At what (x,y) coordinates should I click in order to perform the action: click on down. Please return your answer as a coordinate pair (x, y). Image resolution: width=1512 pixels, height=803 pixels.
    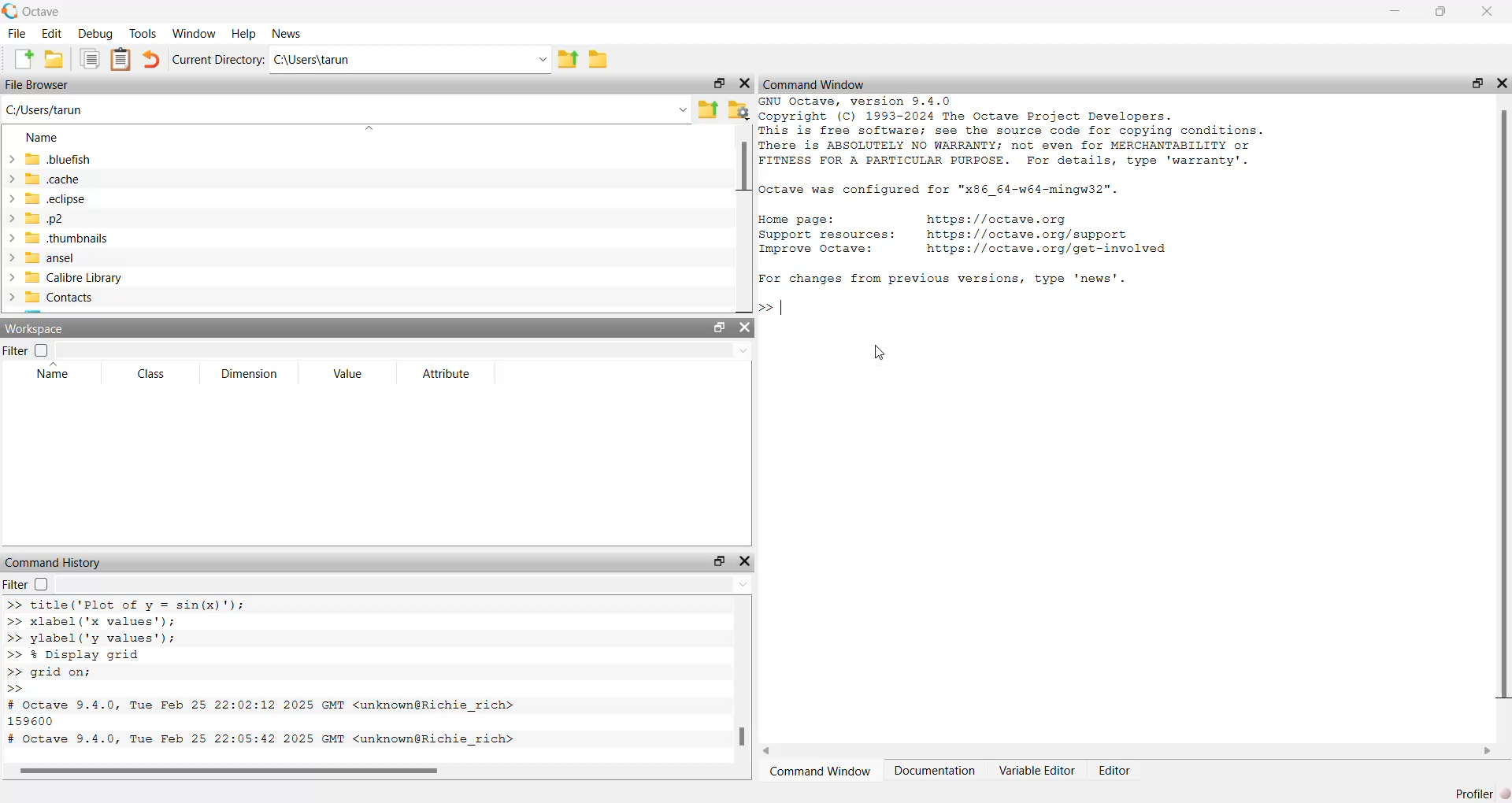
    Looking at the image, I should click on (680, 110).